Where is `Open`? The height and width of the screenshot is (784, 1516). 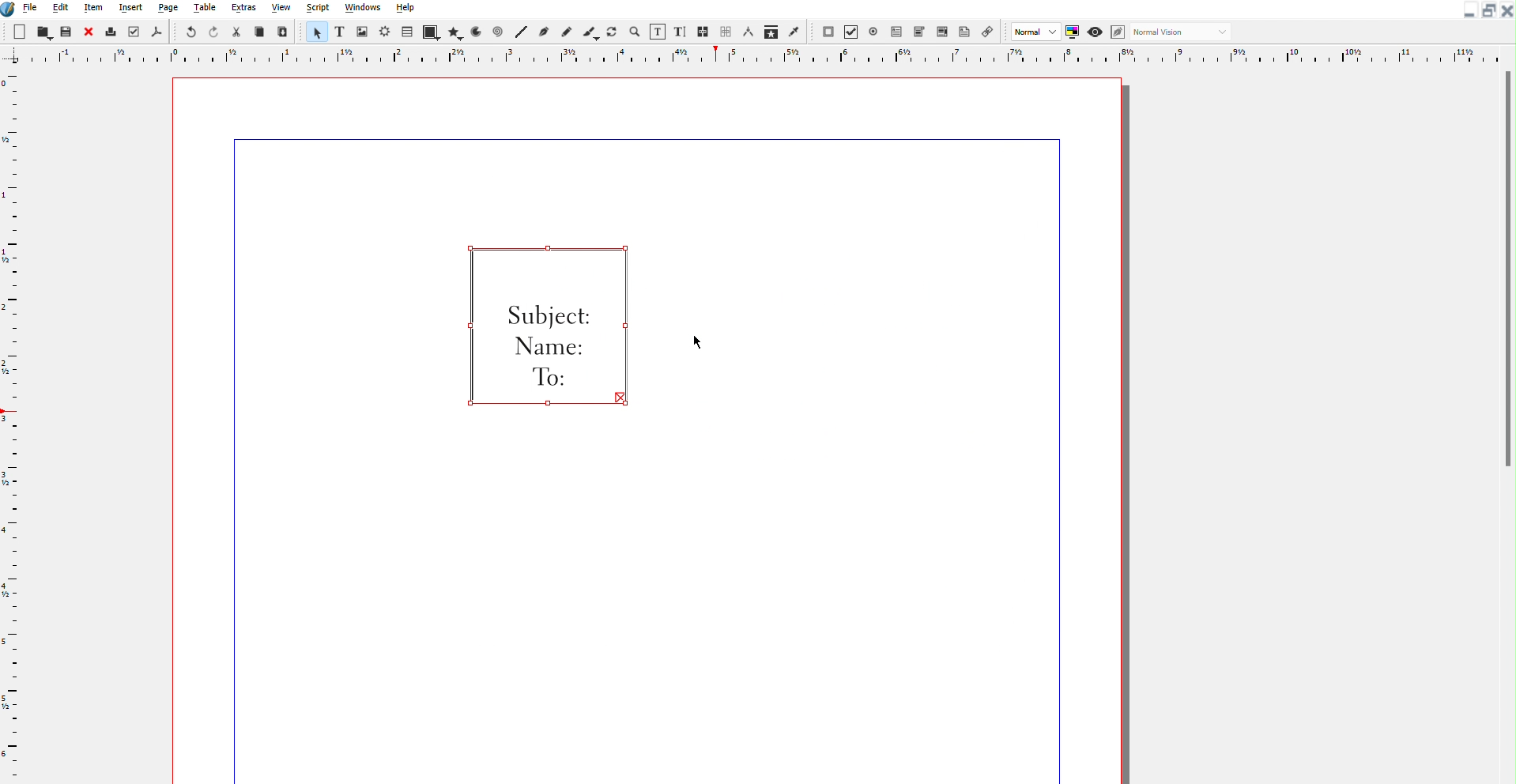 Open is located at coordinates (43, 32).